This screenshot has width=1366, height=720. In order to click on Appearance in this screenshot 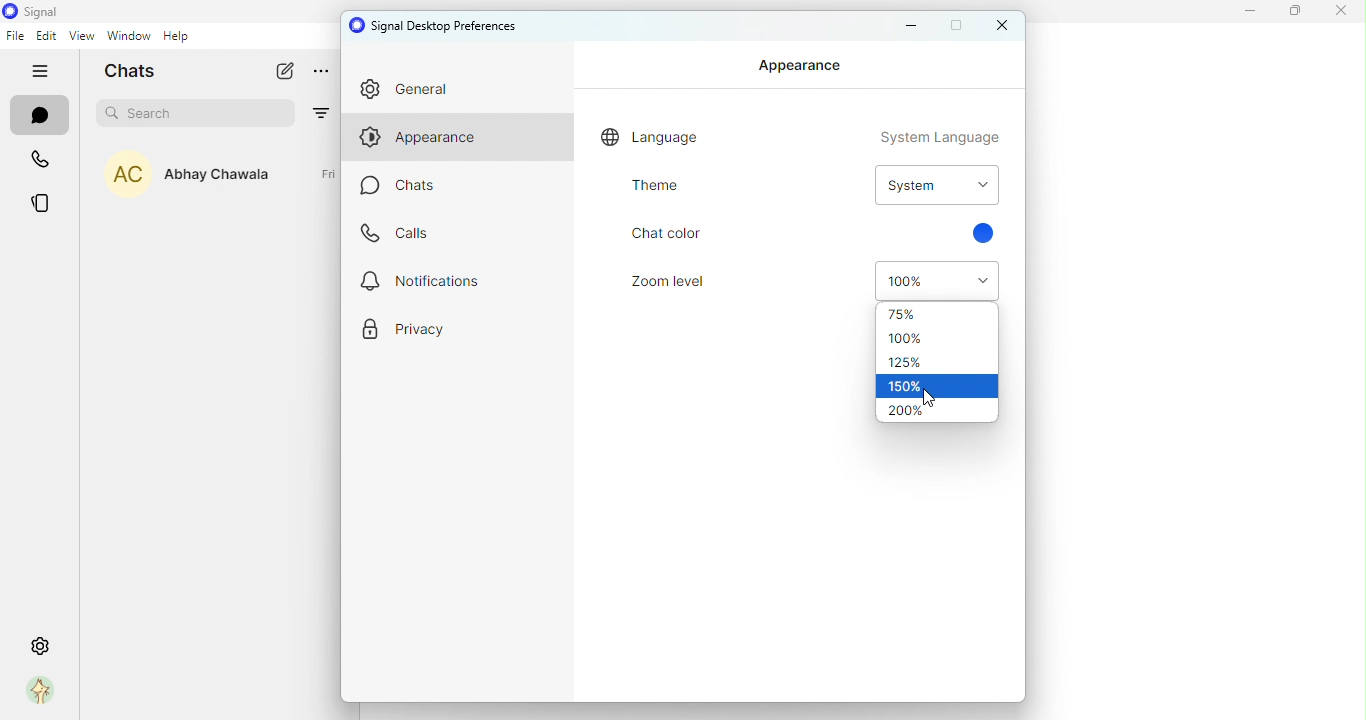, I will do `click(801, 67)`.